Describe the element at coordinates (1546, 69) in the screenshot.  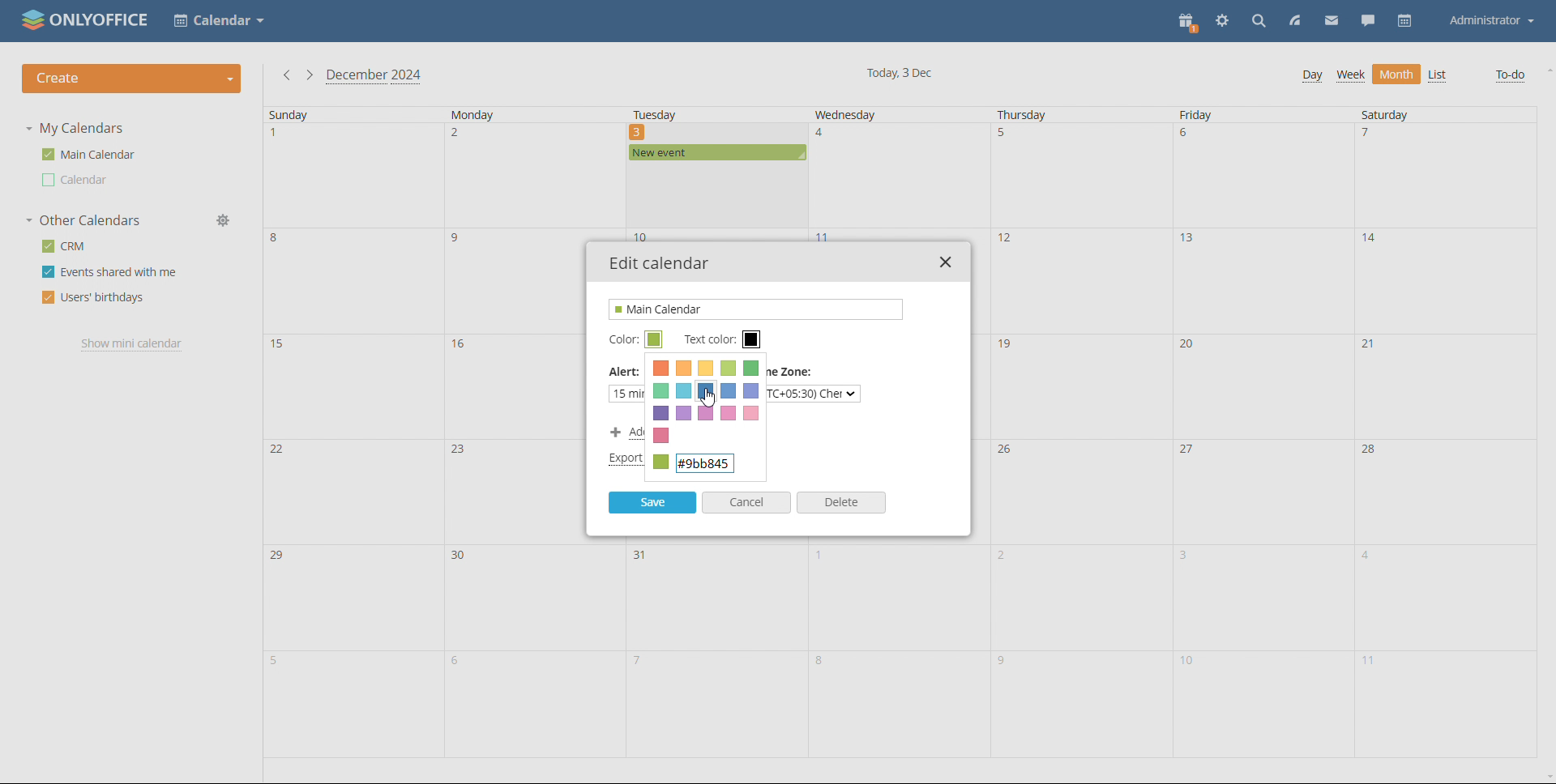
I see `scroll up` at that location.